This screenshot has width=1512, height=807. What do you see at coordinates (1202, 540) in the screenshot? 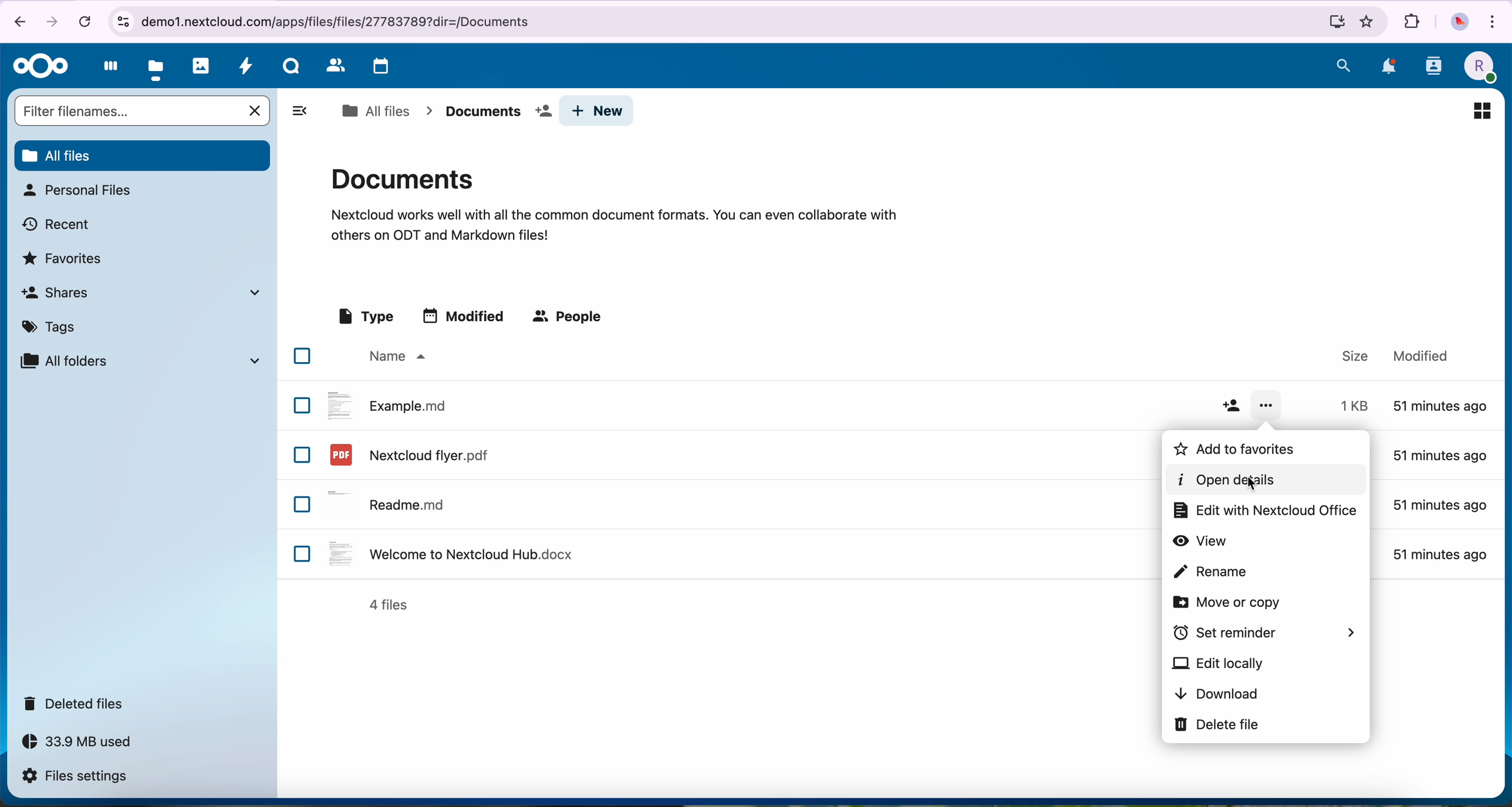
I see `view` at bounding box center [1202, 540].